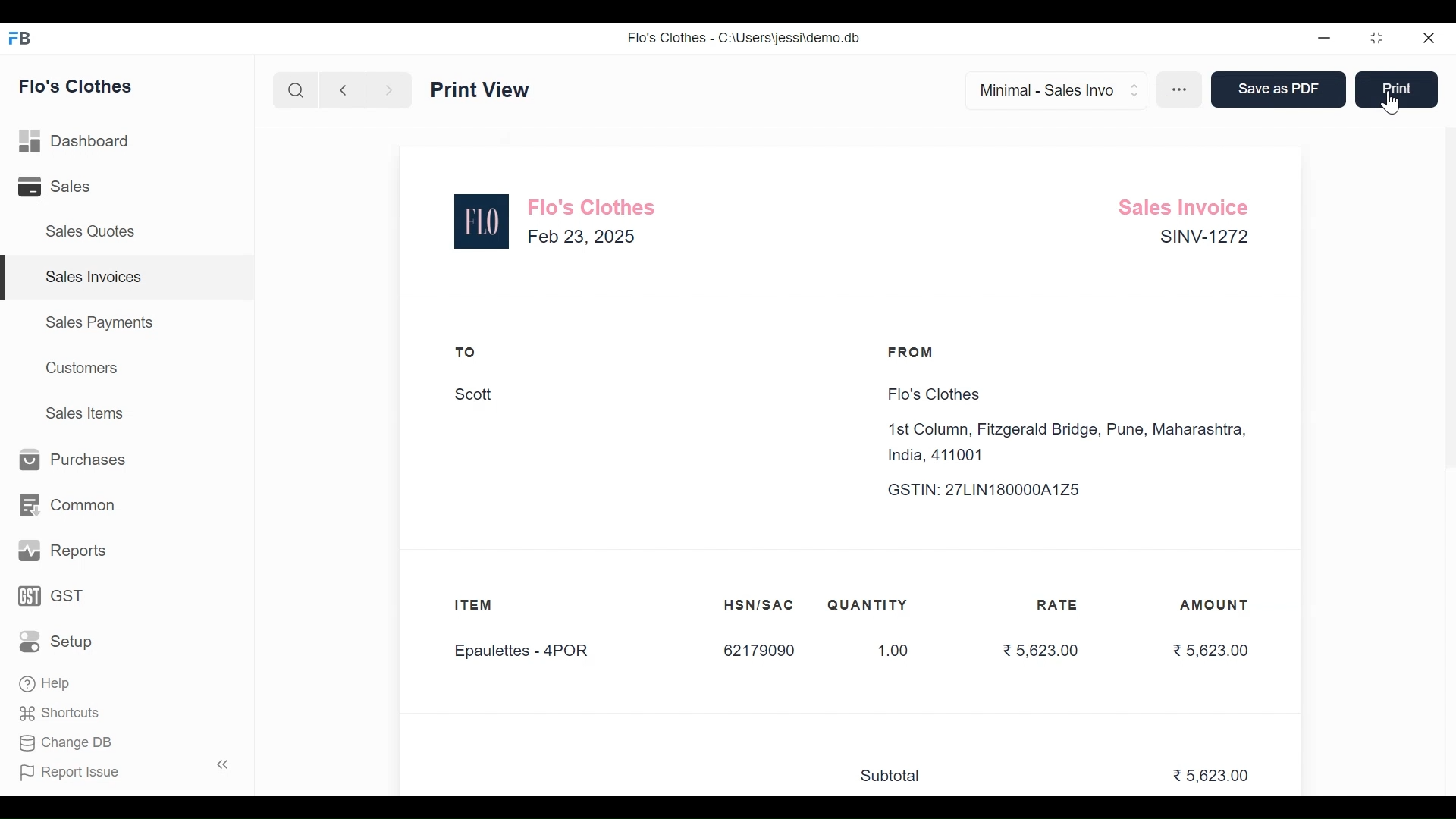 This screenshot has height=819, width=1456. I want to click on 5,623.00, so click(1039, 649).